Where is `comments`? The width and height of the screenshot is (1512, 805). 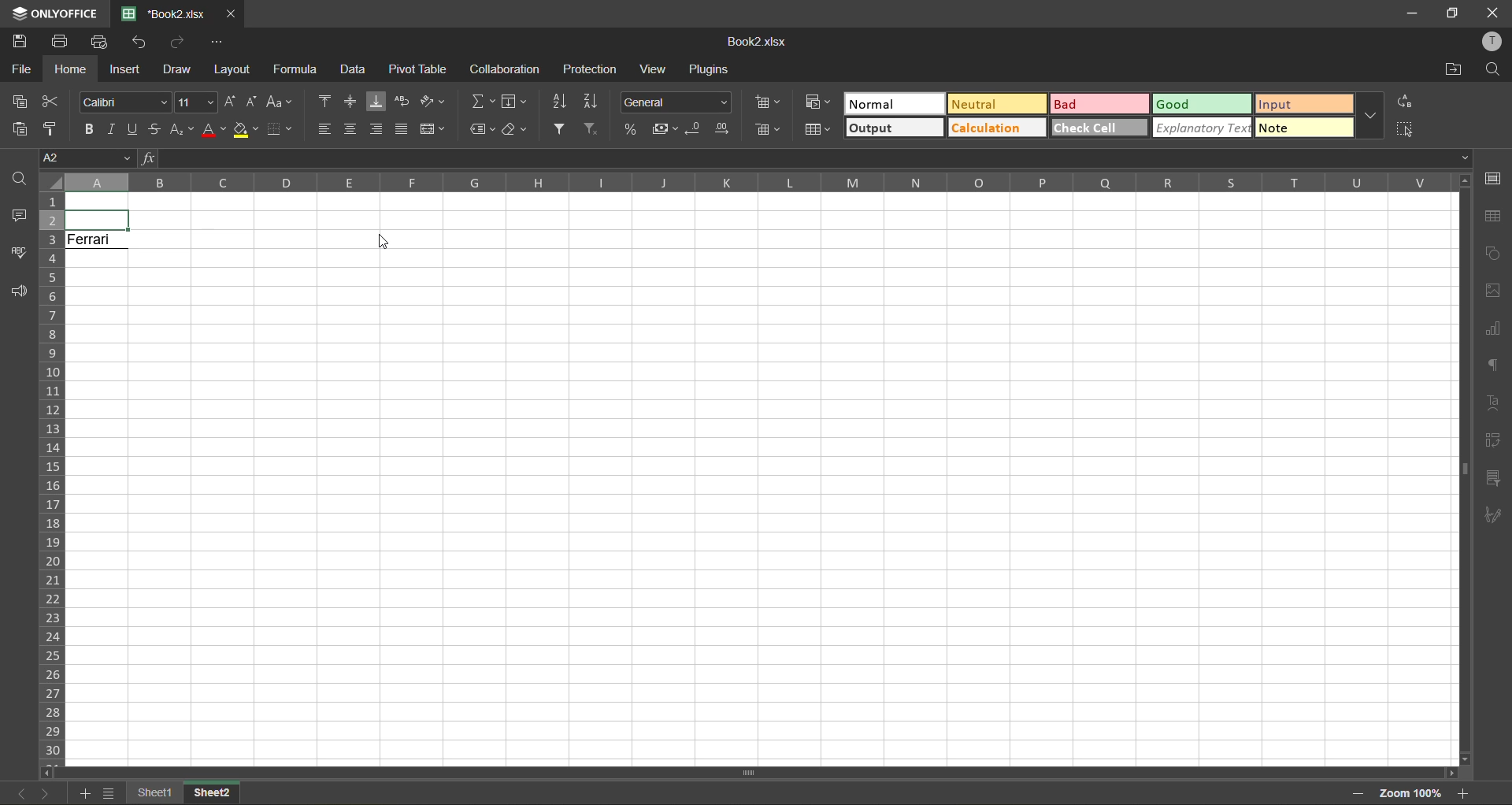
comments is located at coordinates (19, 214).